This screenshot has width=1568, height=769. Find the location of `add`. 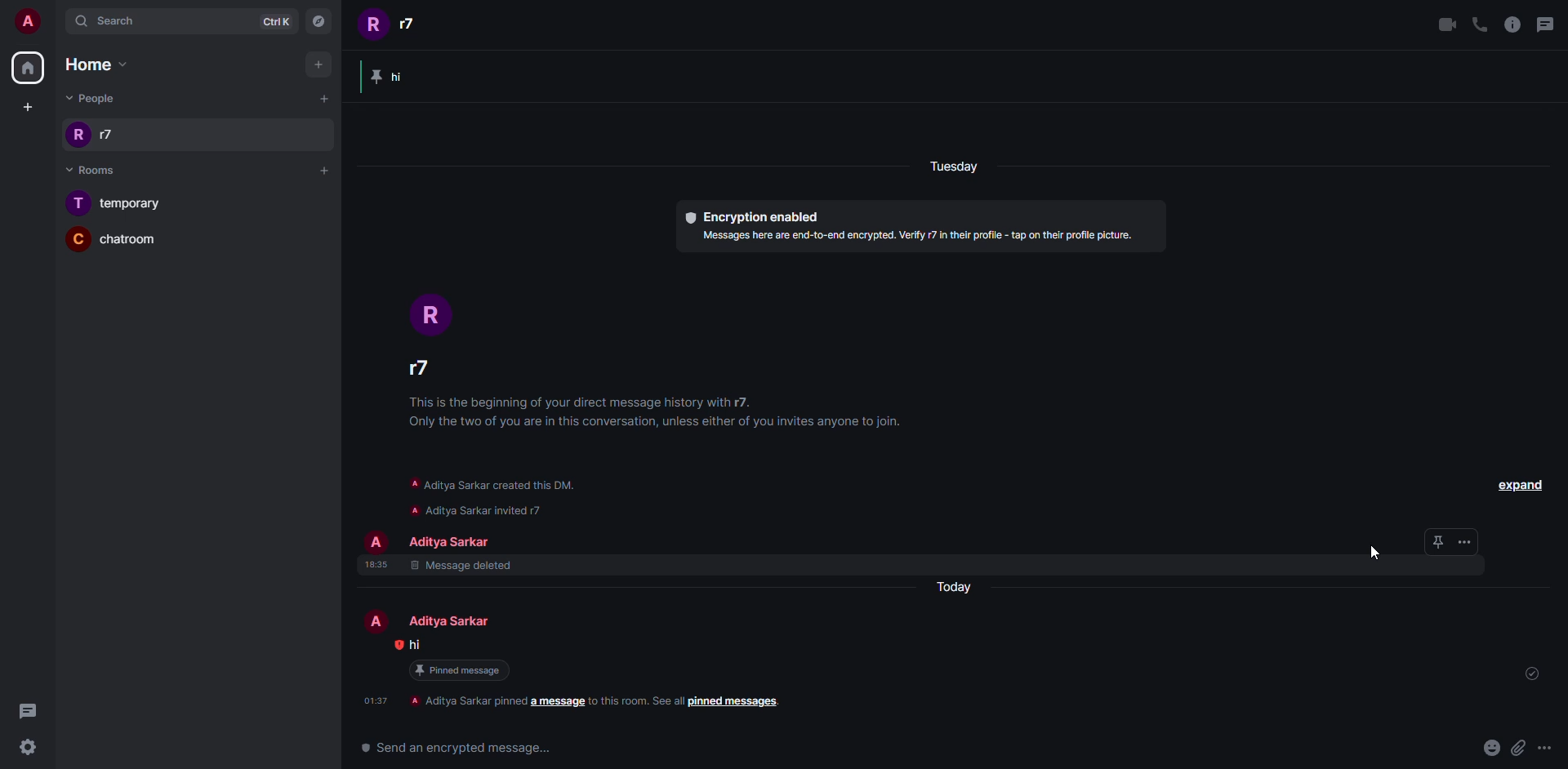

add is located at coordinates (318, 61).